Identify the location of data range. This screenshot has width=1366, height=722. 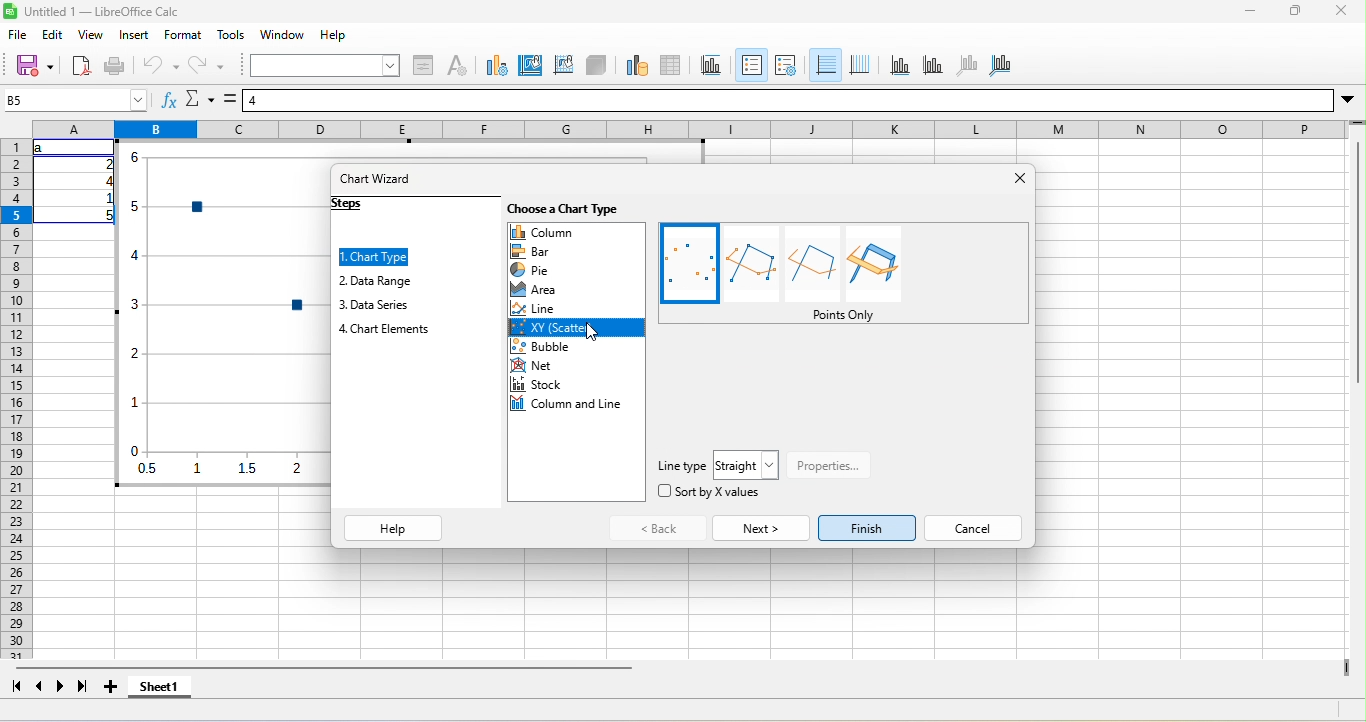
(638, 67).